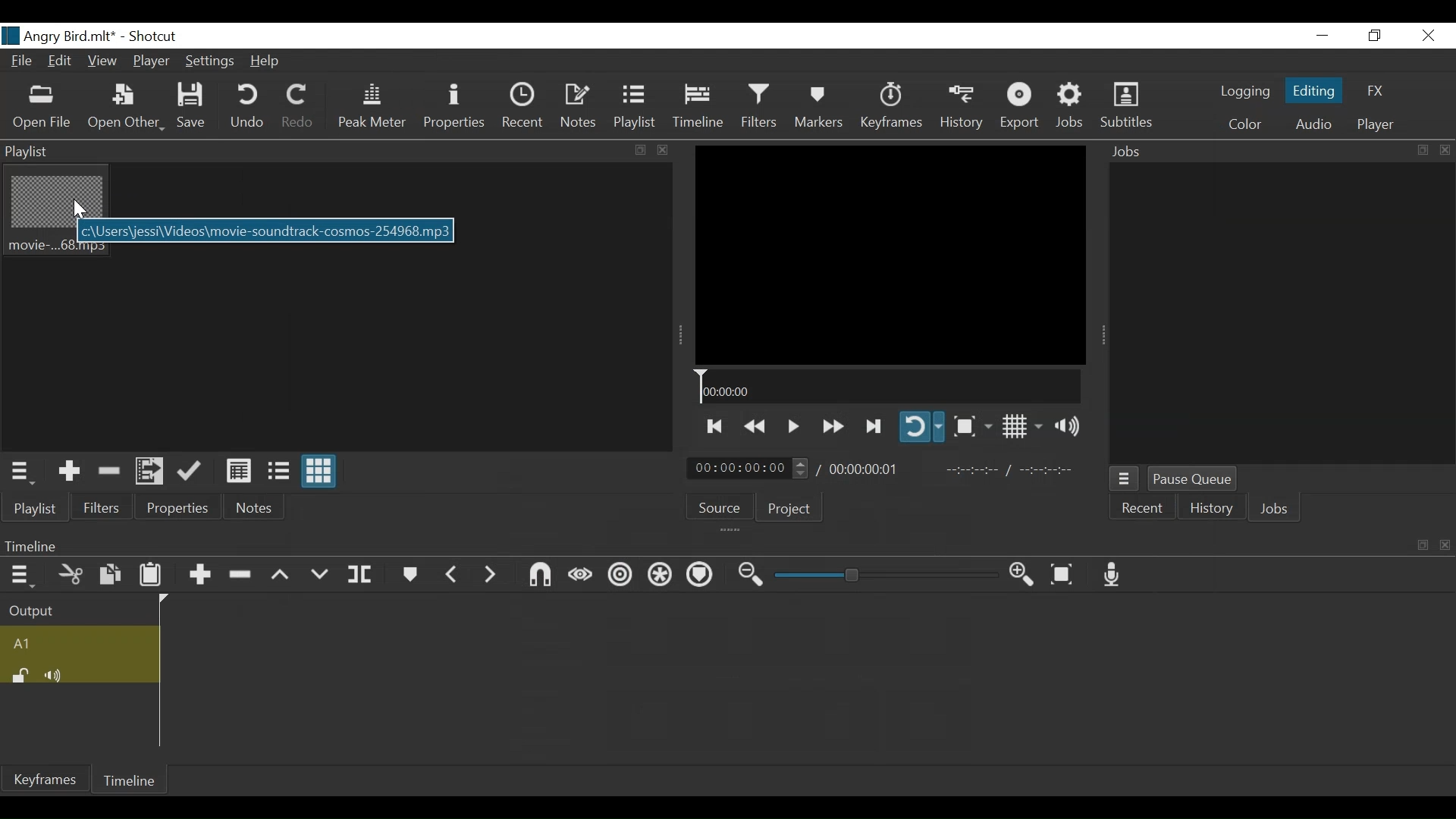 The height and width of the screenshot is (819, 1456). Describe the element at coordinates (372, 106) in the screenshot. I see `Peak Meter` at that location.